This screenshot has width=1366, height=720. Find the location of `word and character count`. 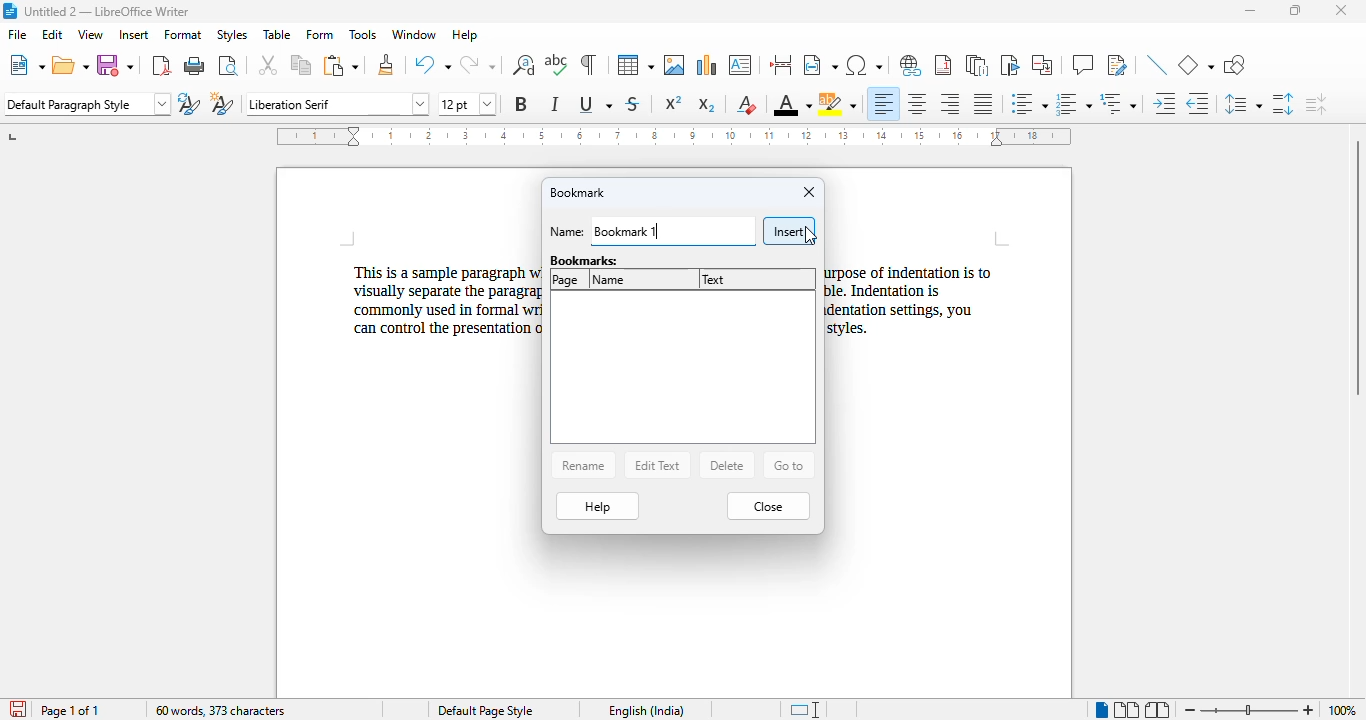

word and character count is located at coordinates (219, 710).